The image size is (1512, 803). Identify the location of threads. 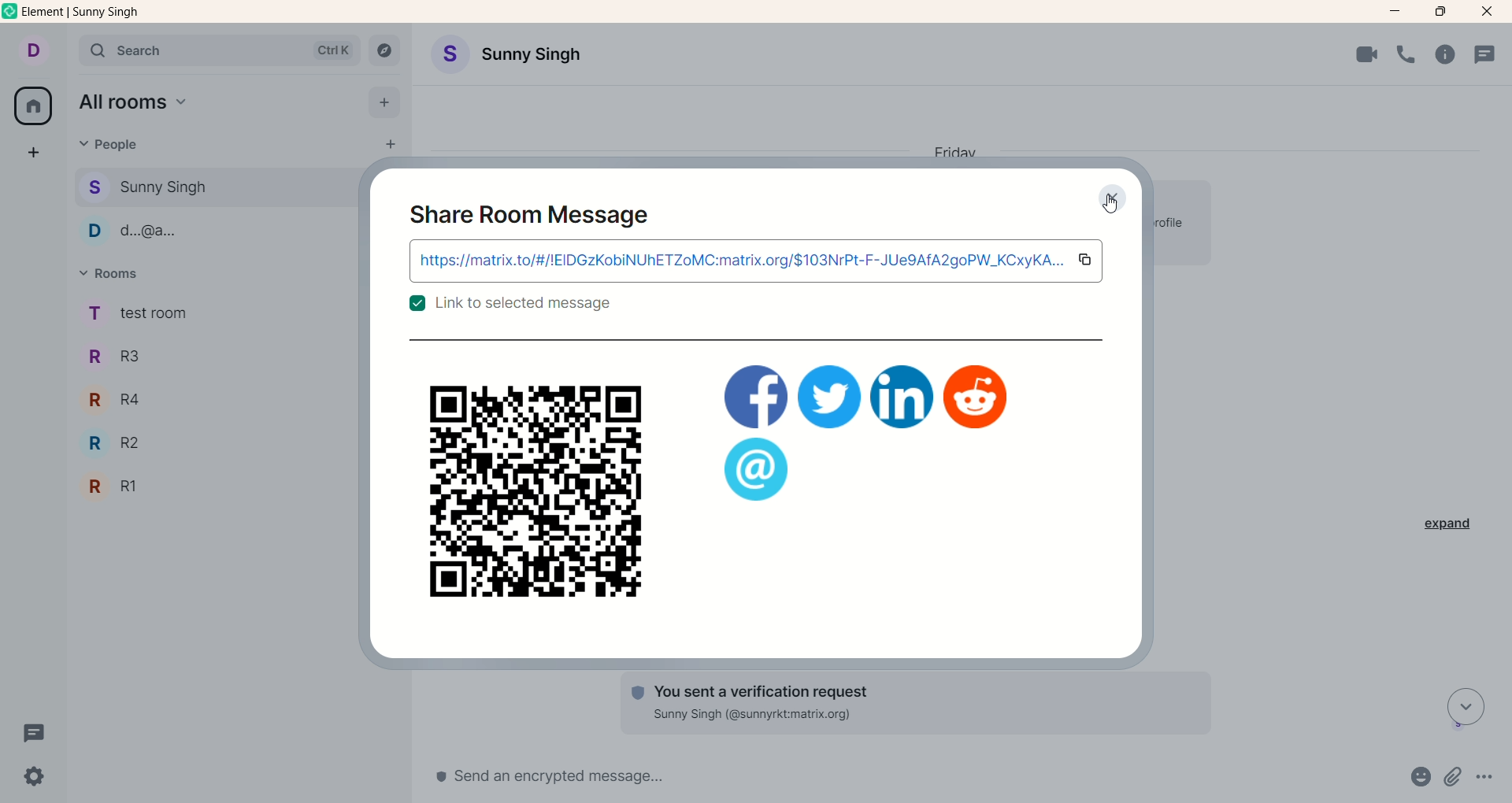
(1492, 54).